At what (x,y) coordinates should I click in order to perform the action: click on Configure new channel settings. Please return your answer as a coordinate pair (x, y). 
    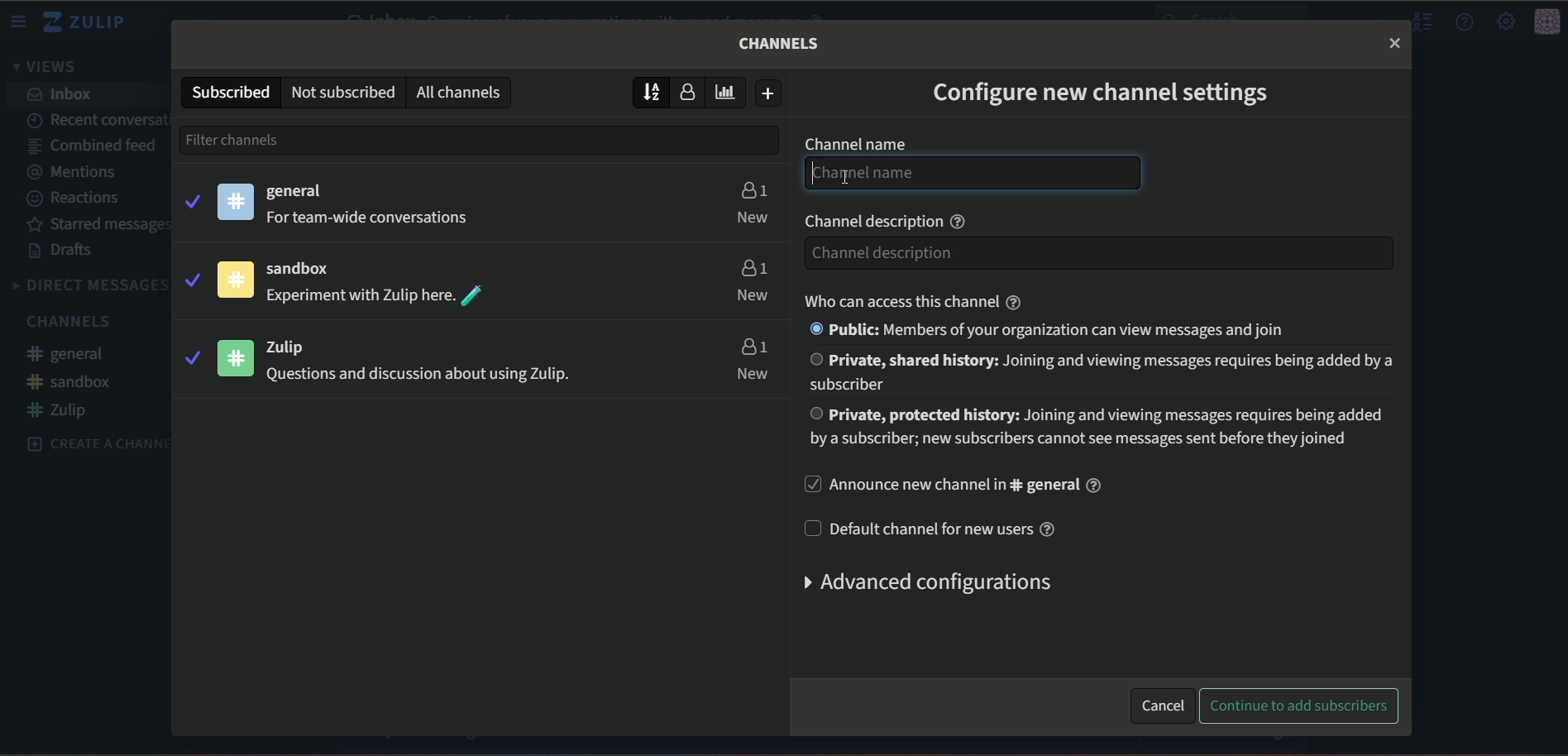
    Looking at the image, I should click on (1098, 90).